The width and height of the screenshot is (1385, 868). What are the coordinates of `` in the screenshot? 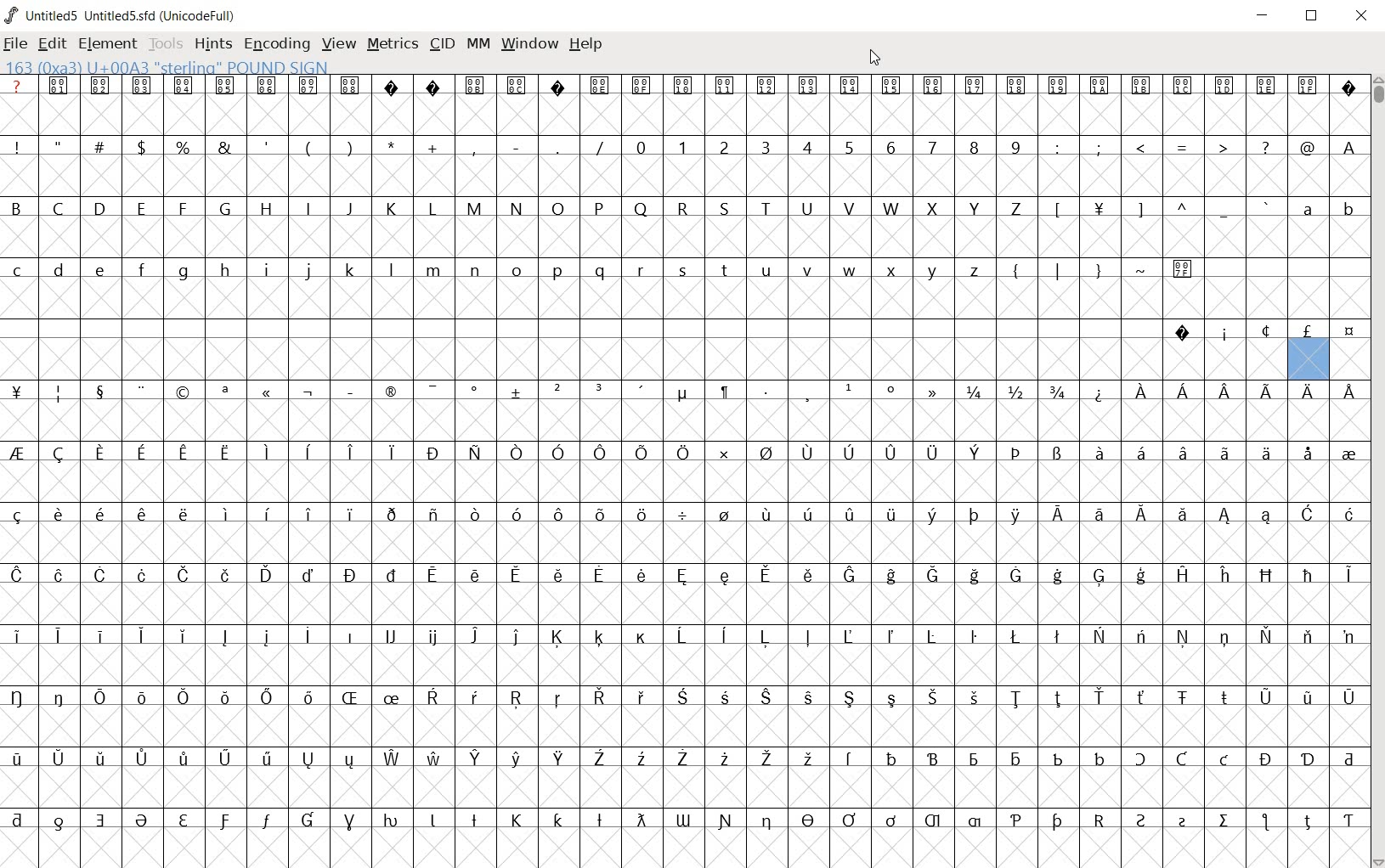 It's located at (1225, 389).